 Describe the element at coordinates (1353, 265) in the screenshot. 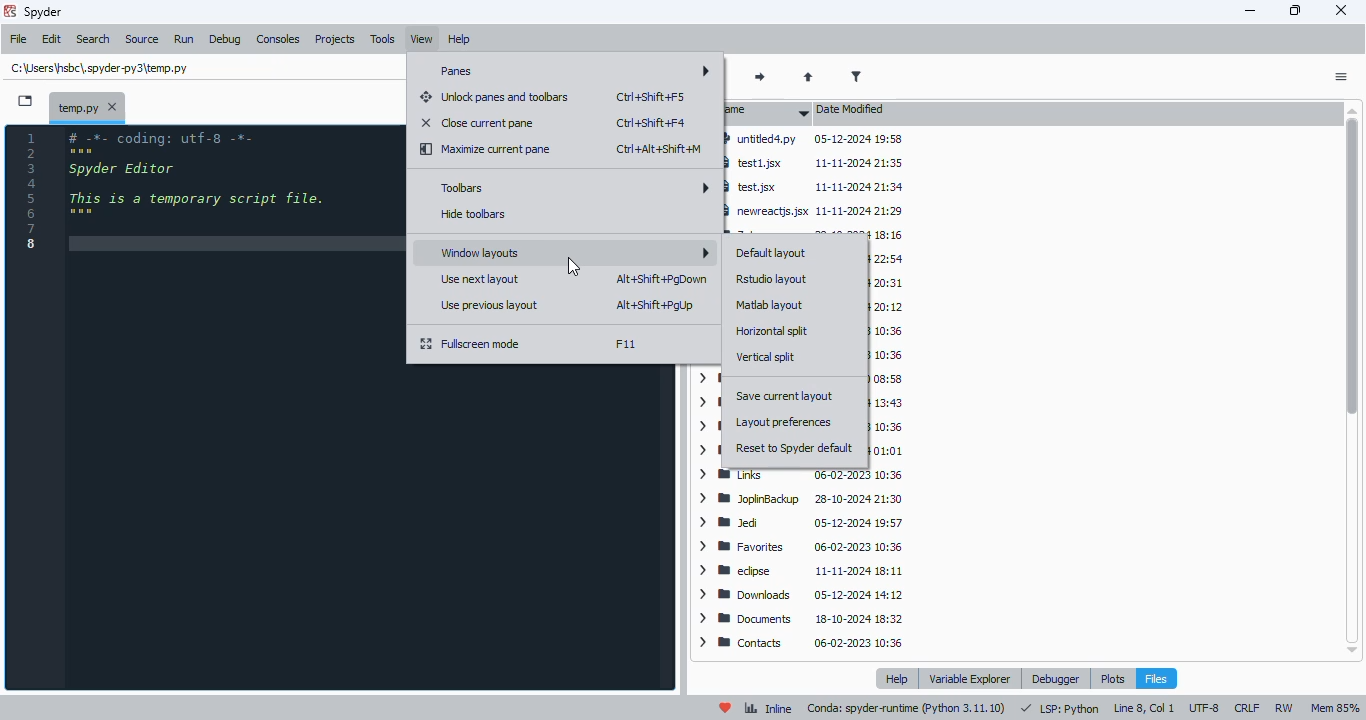

I see `vertical scroll bar` at that location.